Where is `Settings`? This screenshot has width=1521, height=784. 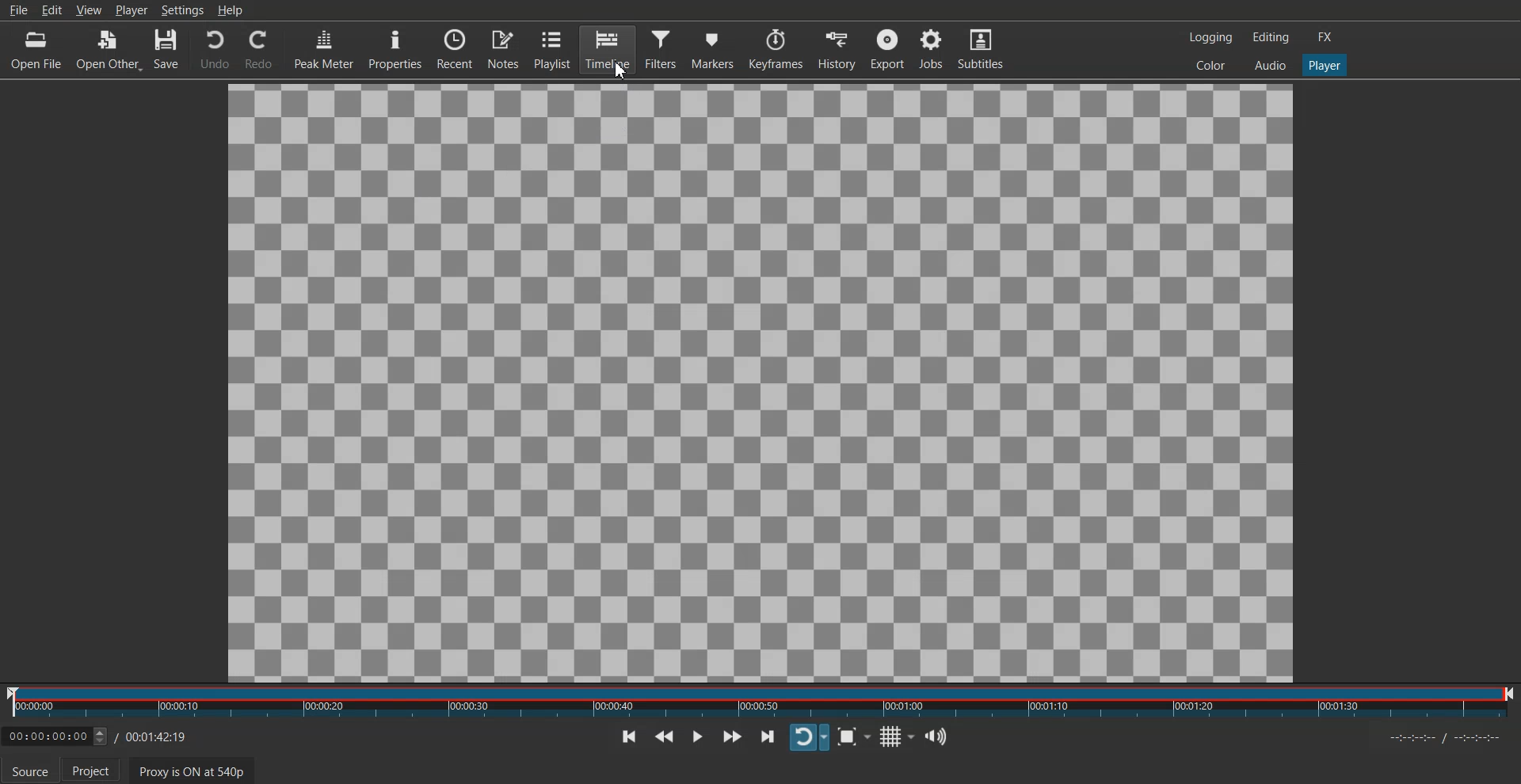
Settings is located at coordinates (182, 10).